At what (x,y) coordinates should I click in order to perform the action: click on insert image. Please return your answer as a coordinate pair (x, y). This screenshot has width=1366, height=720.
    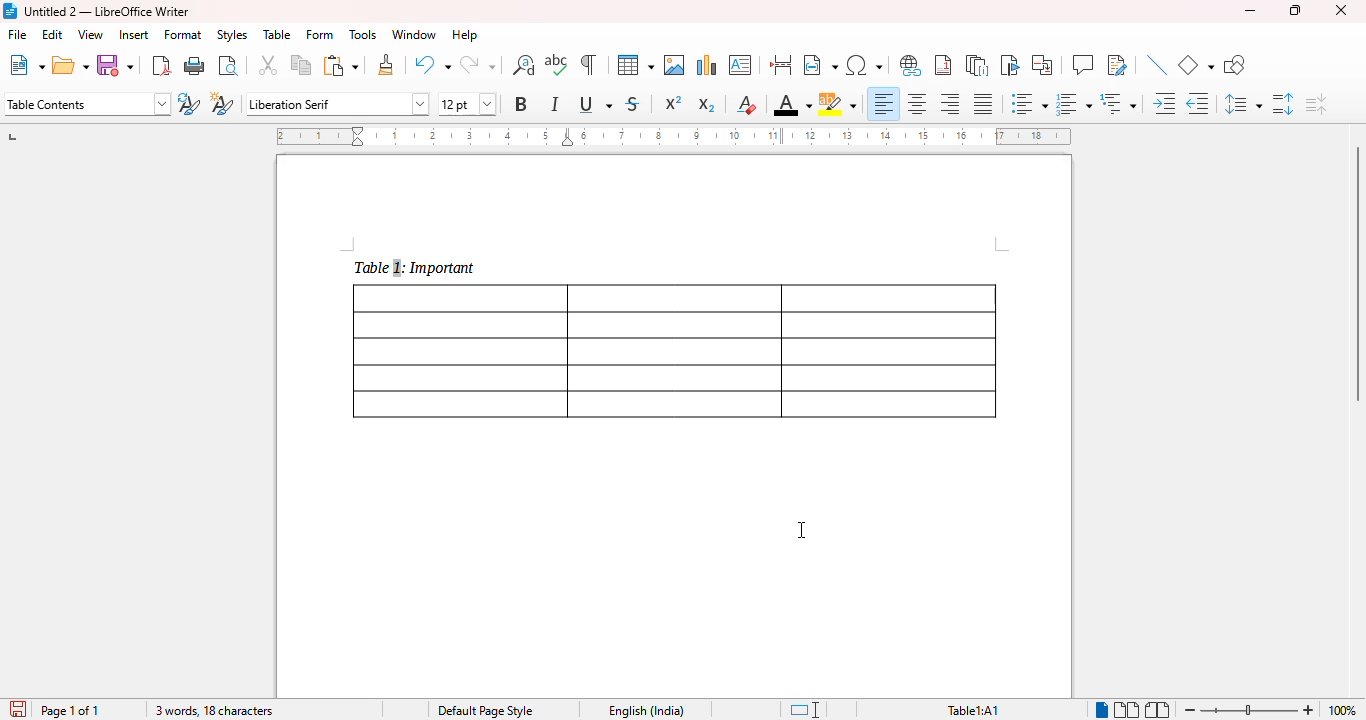
    Looking at the image, I should click on (675, 65).